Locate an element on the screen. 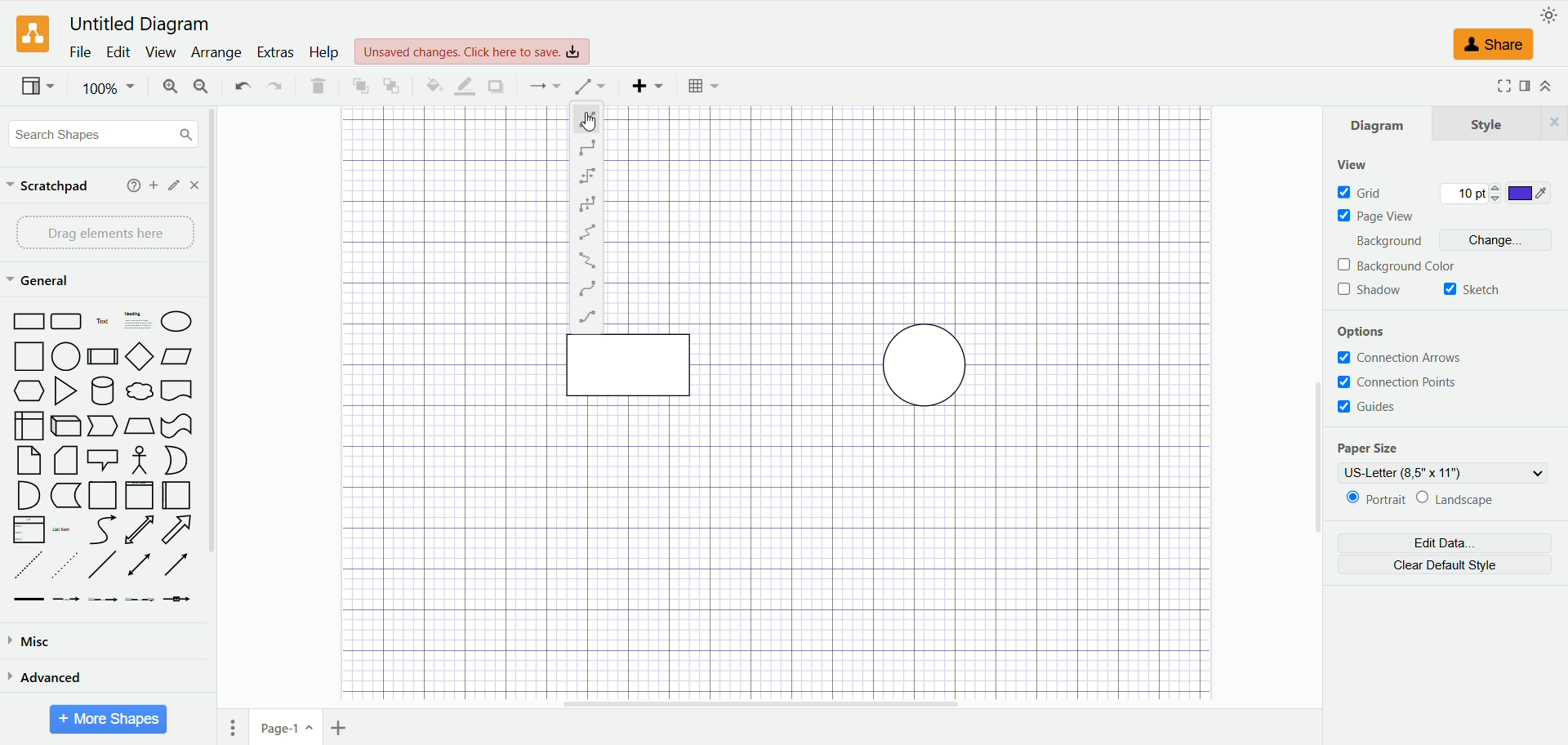 Image resolution: width=1568 pixels, height=745 pixels. Page is located at coordinates (101, 495).